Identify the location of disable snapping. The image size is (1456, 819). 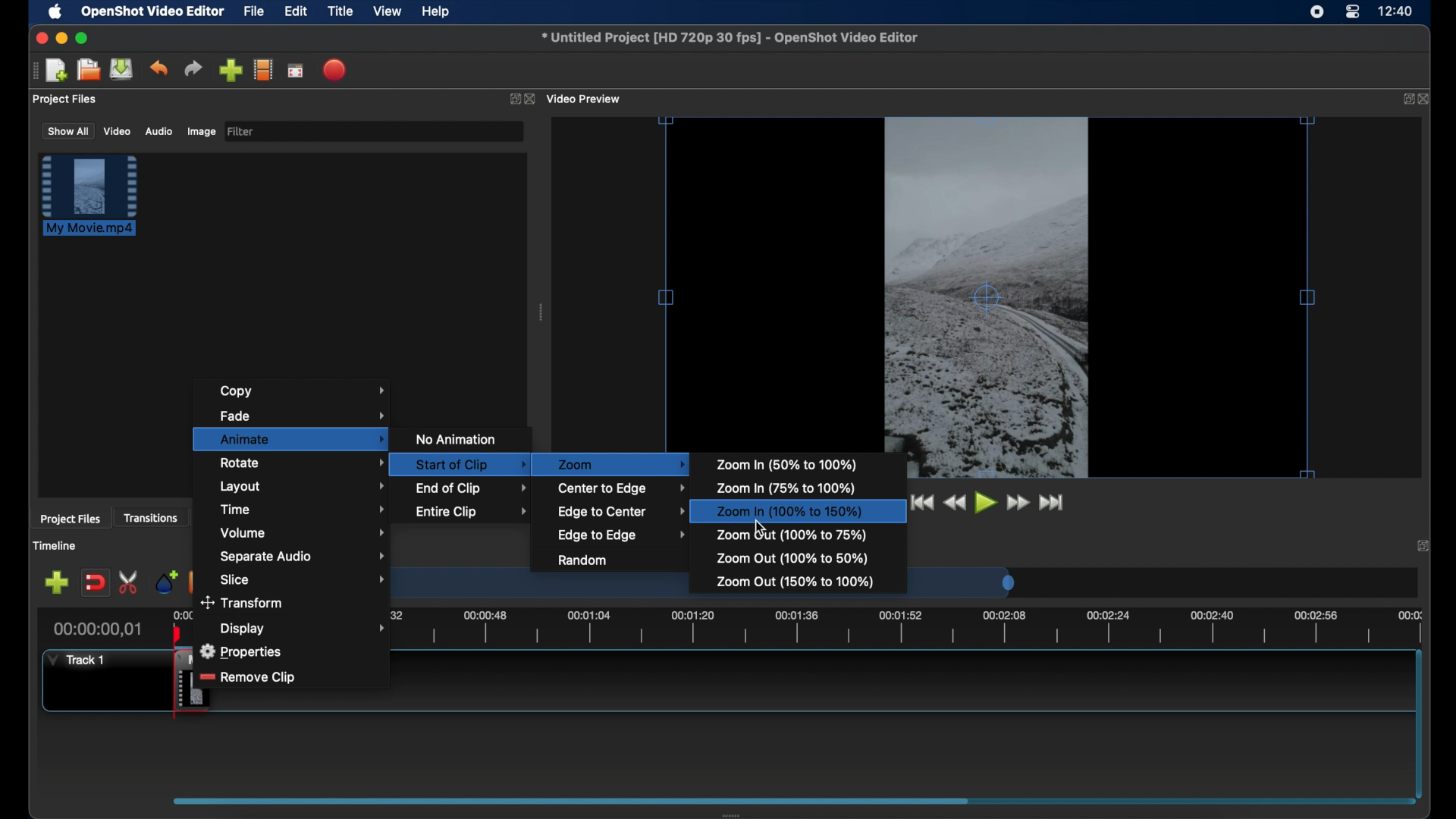
(95, 583).